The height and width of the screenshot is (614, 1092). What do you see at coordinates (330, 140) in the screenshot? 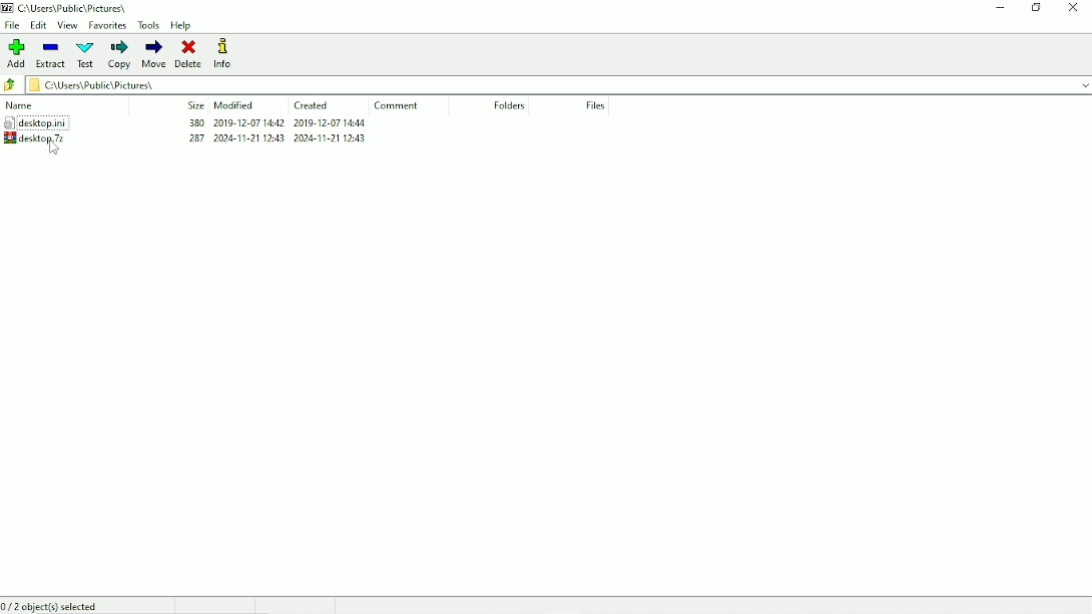
I see `2024-11-21 1243` at bounding box center [330, 140].